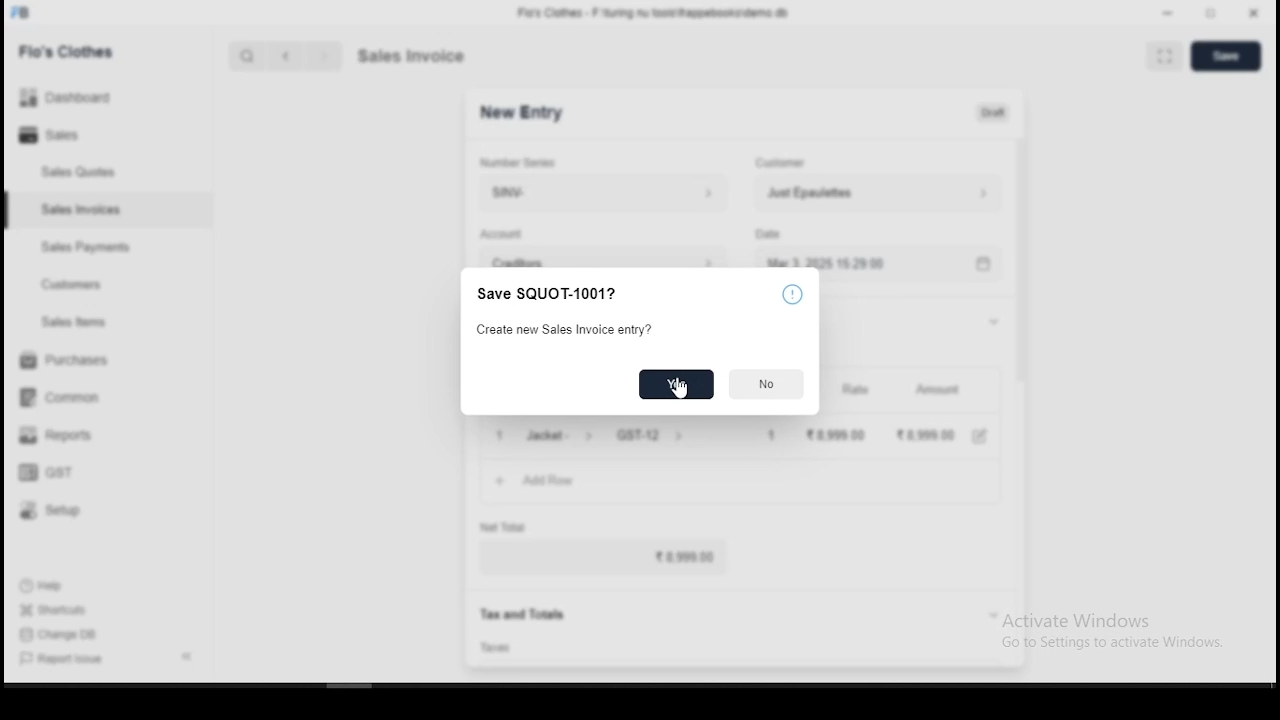 The height and width of the screenshot is (720, 1280). What do you see at coordinates (883, 195) in the screenshot?
I see `Just Epaulettes >` at bounding box center [883, 195].